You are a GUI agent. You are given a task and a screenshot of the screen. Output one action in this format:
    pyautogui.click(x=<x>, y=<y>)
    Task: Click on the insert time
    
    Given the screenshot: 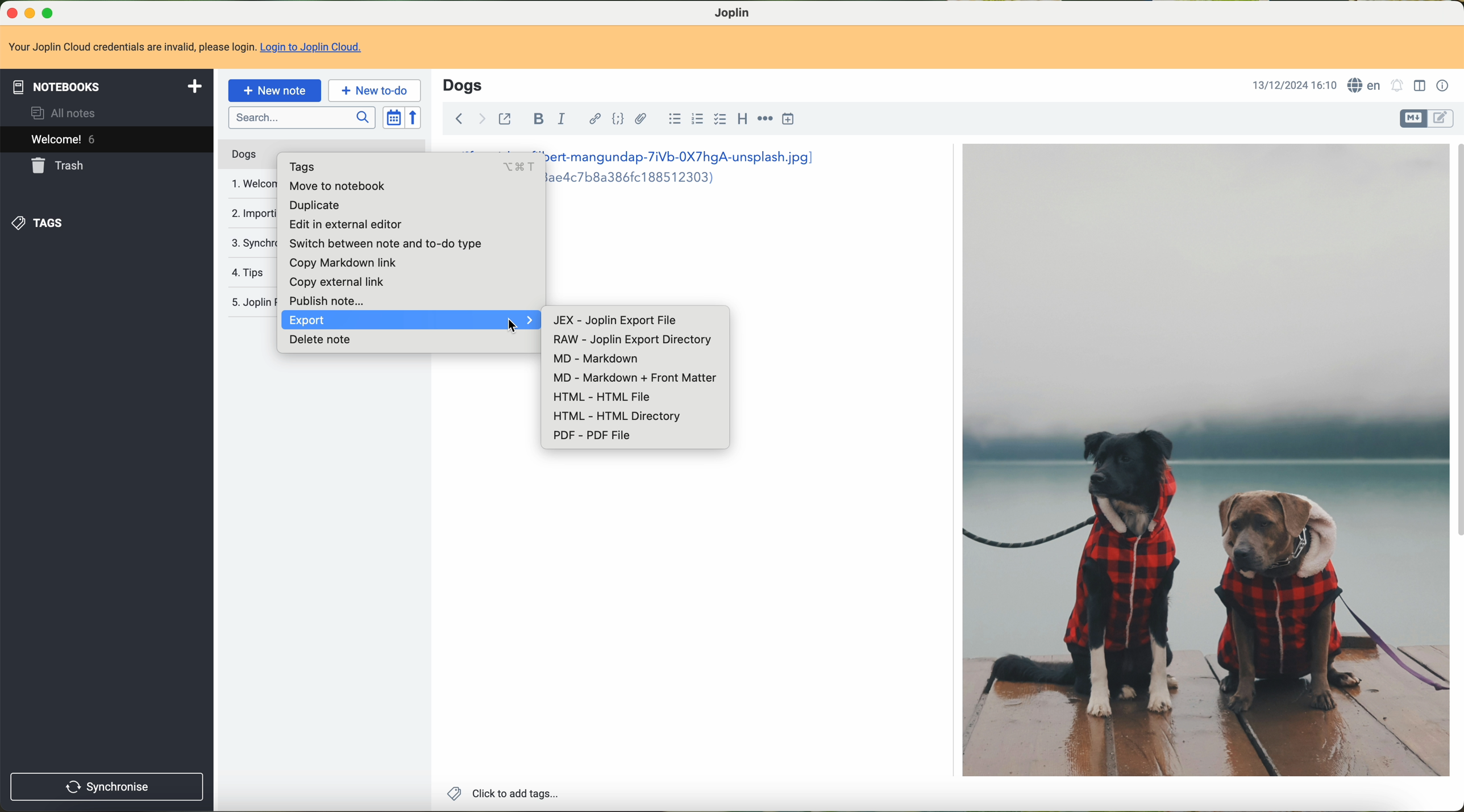 What is the action you would take?
    pyautogui.click(x=790, y=120)
    